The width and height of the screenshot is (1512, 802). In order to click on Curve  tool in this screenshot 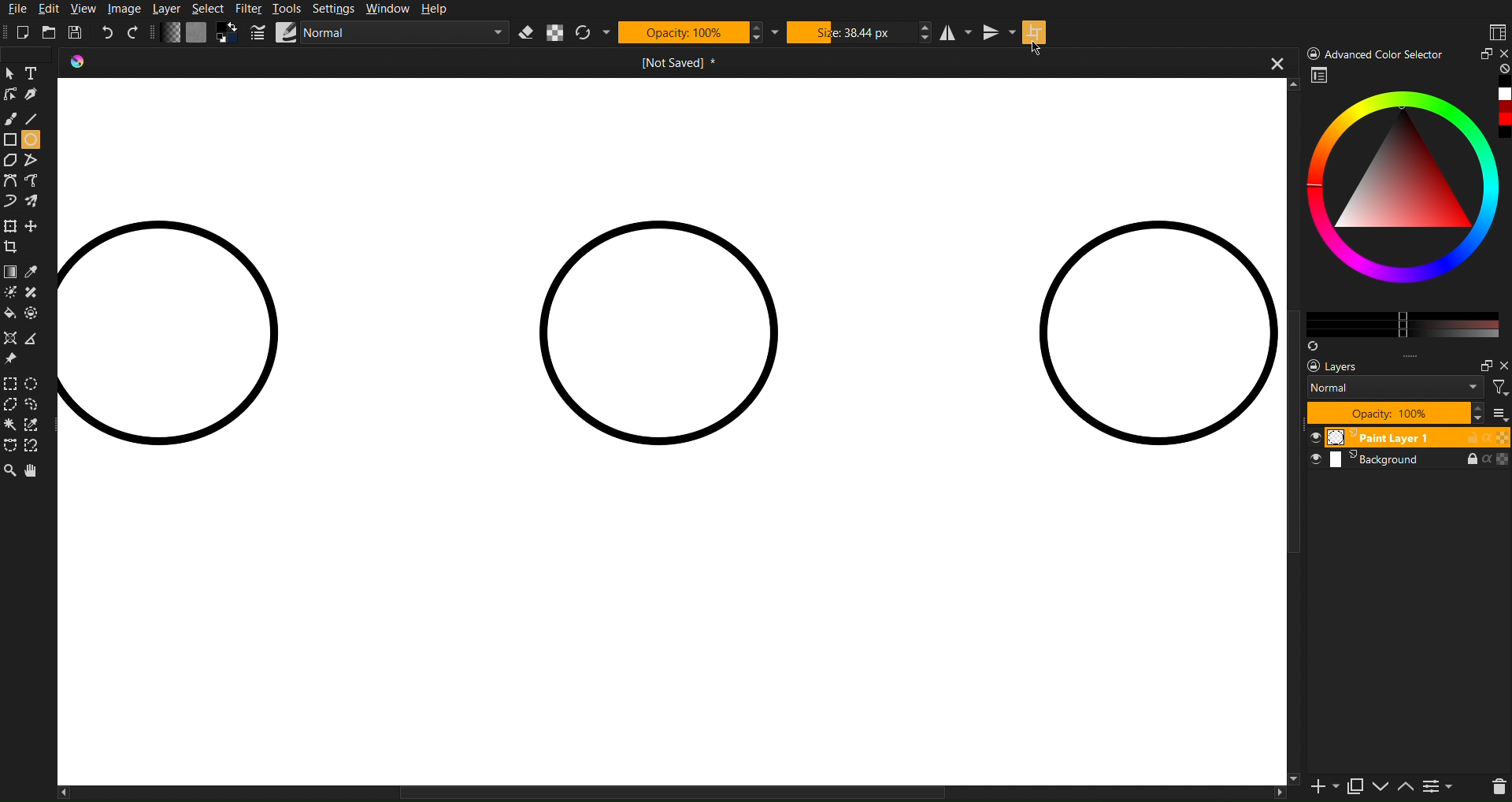, I will do `click(35, 182)`.